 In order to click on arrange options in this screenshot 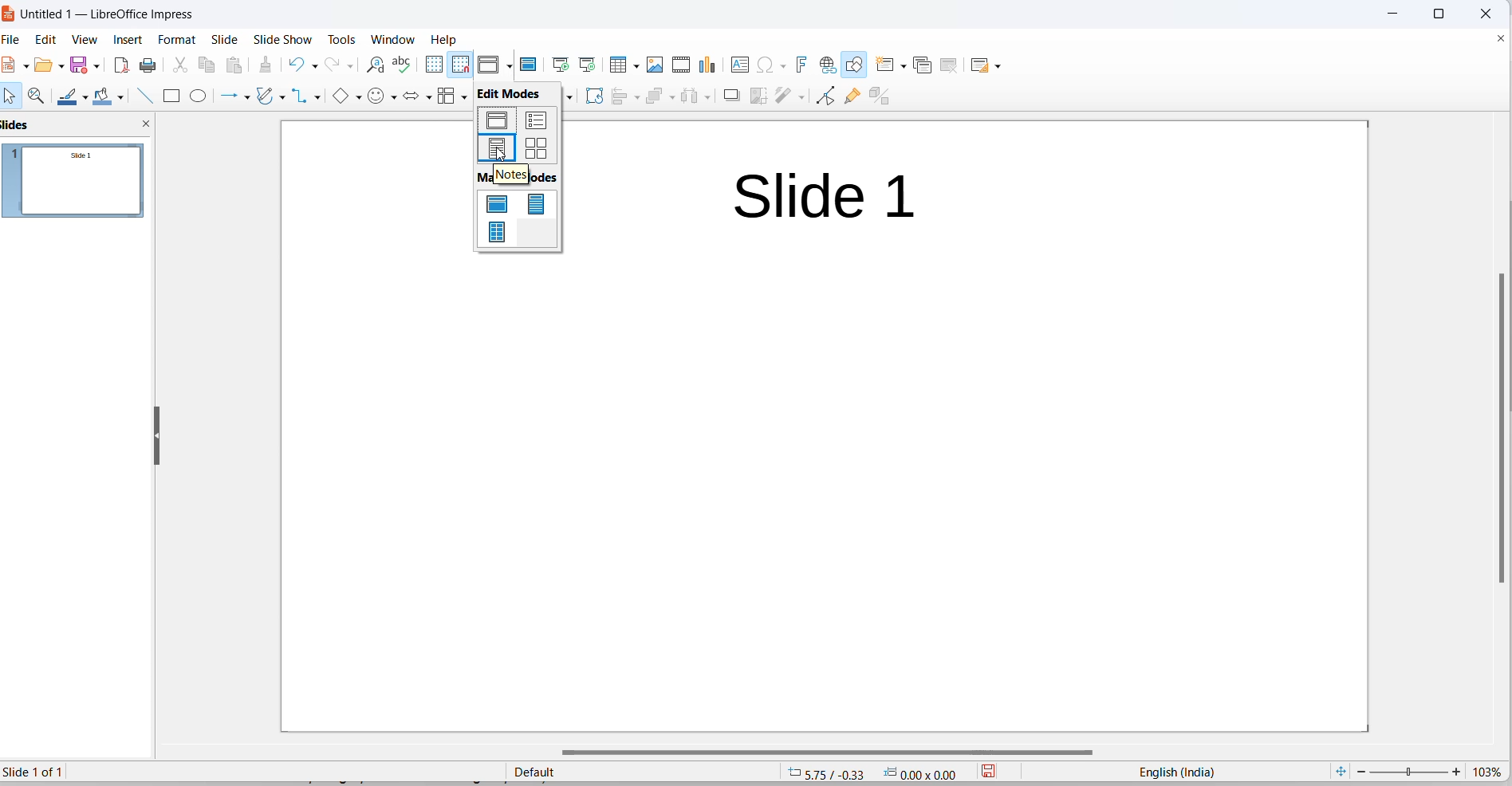, I will do `click(675, 96)`.